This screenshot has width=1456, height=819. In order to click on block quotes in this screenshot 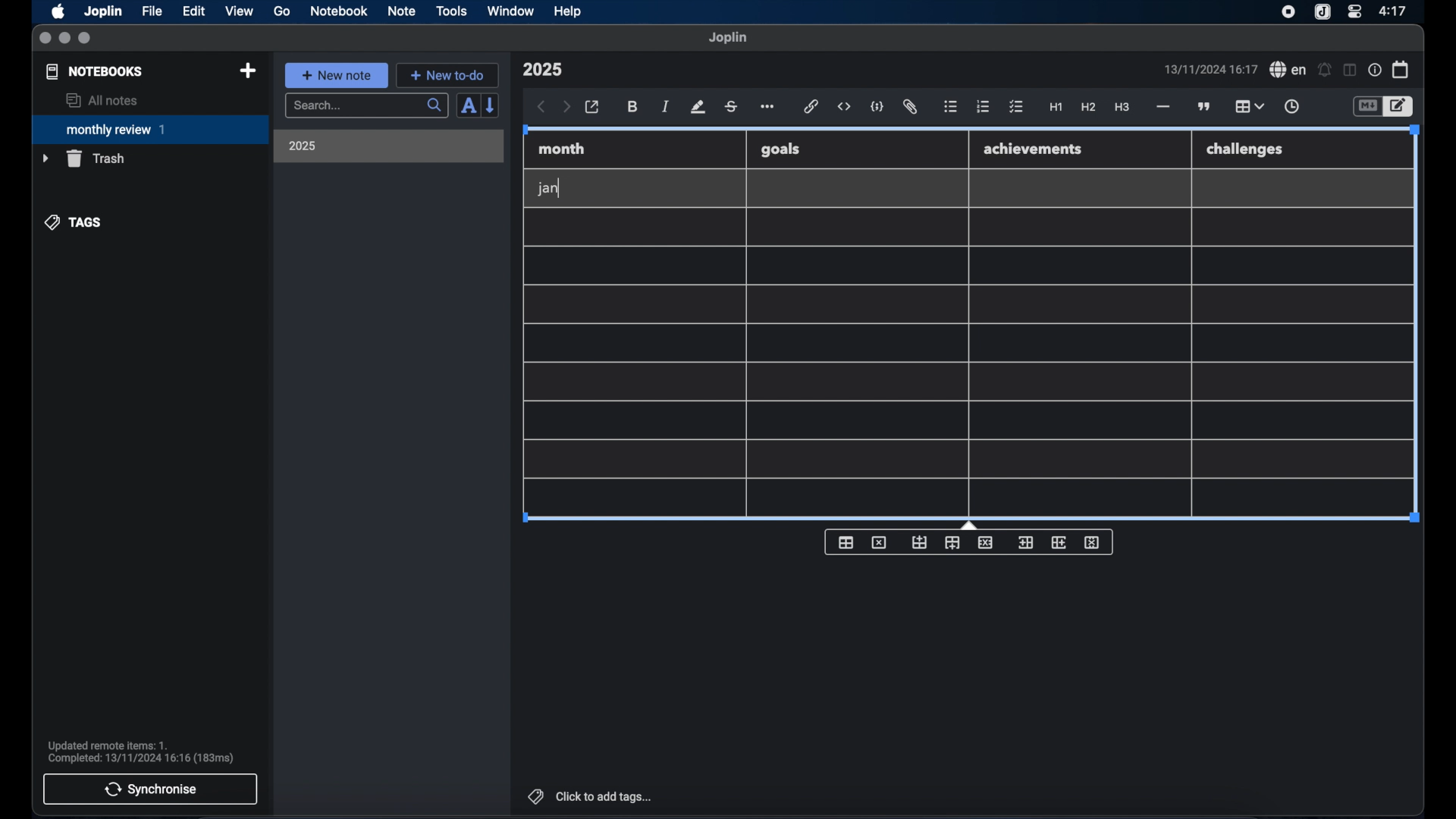, I will do `click(1205, 107)`.